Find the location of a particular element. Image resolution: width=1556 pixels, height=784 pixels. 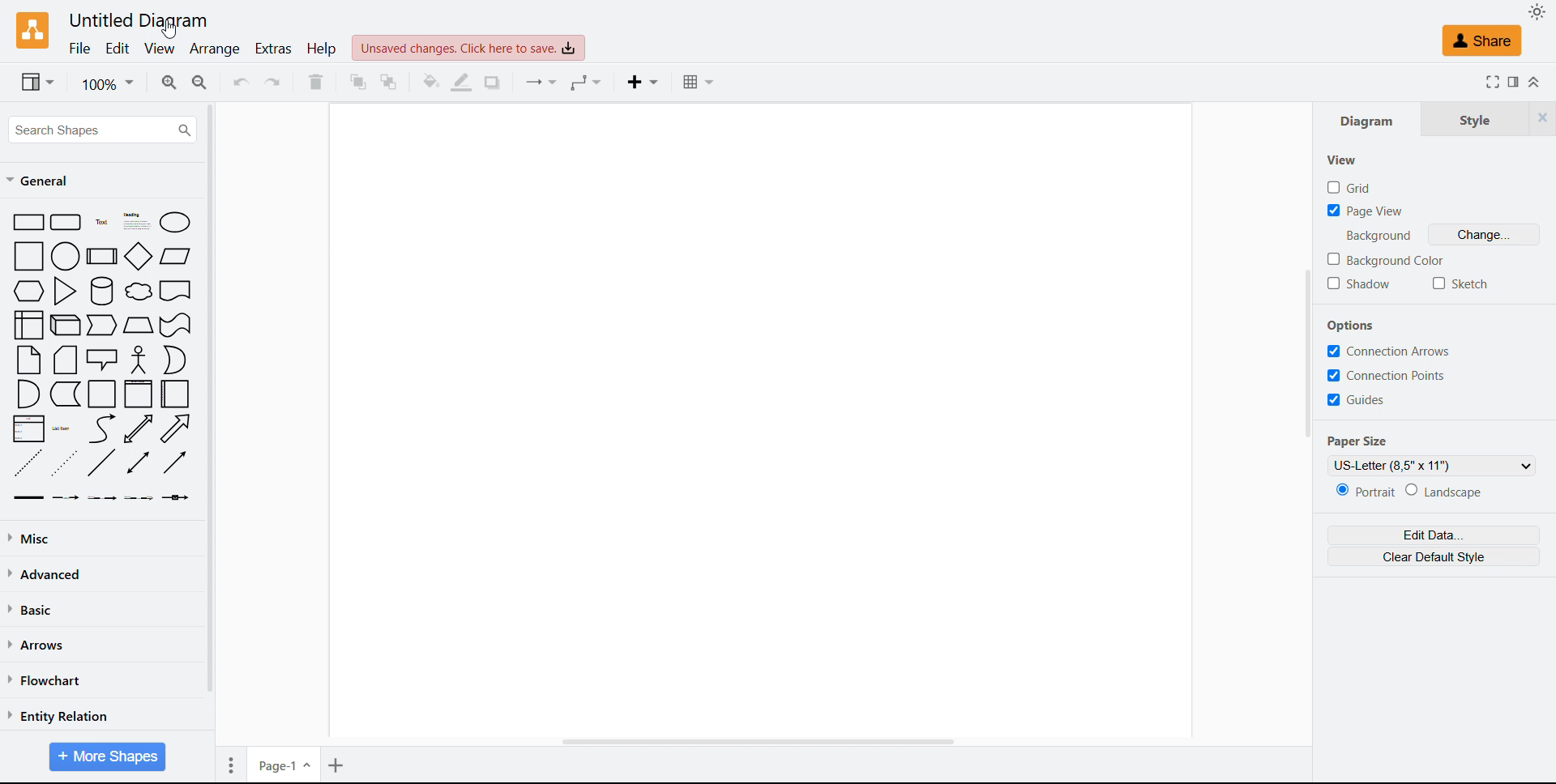

Basic  is located at coordinates (34, 609).